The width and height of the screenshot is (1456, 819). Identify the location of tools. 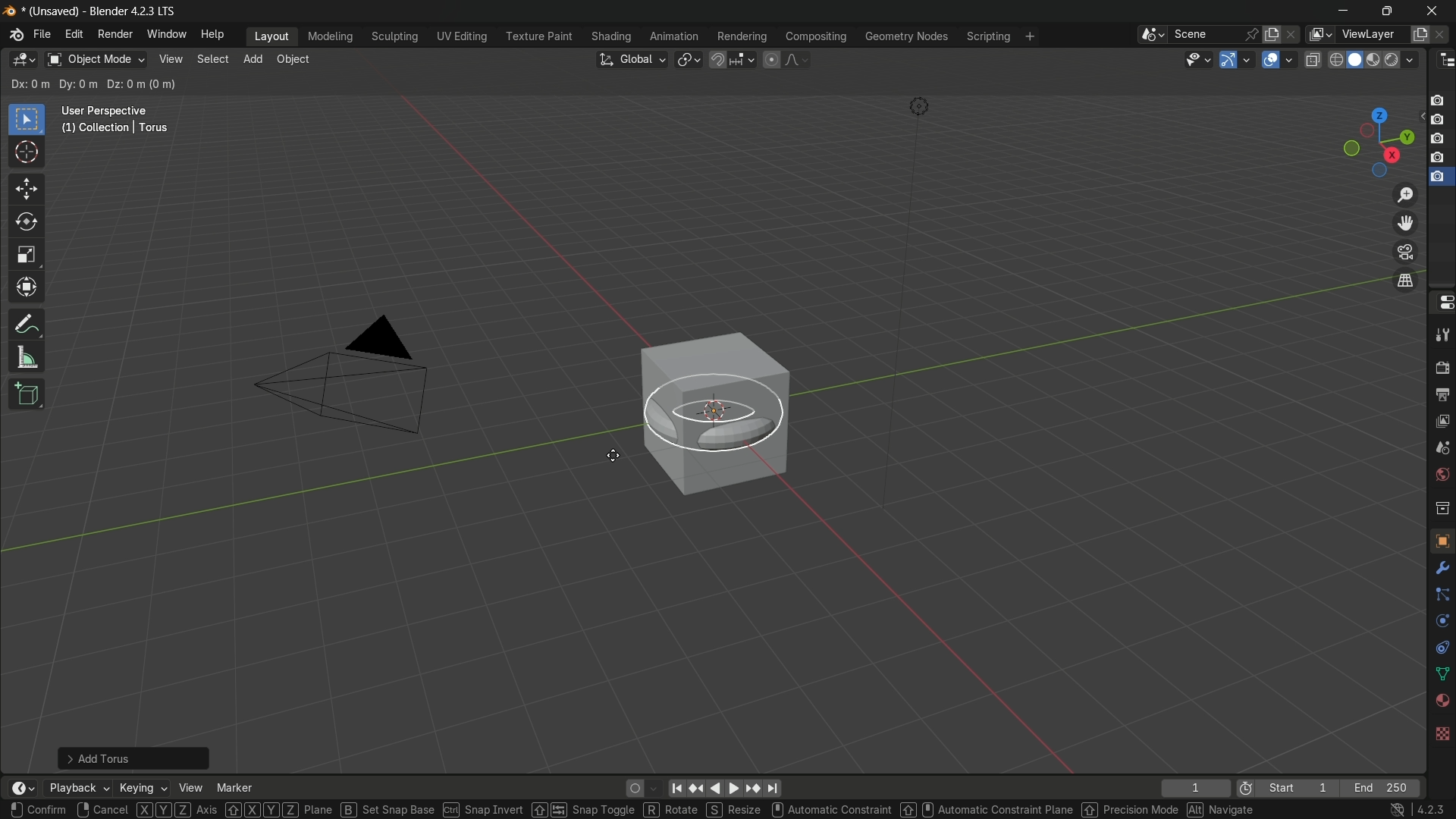
(1442, 332).